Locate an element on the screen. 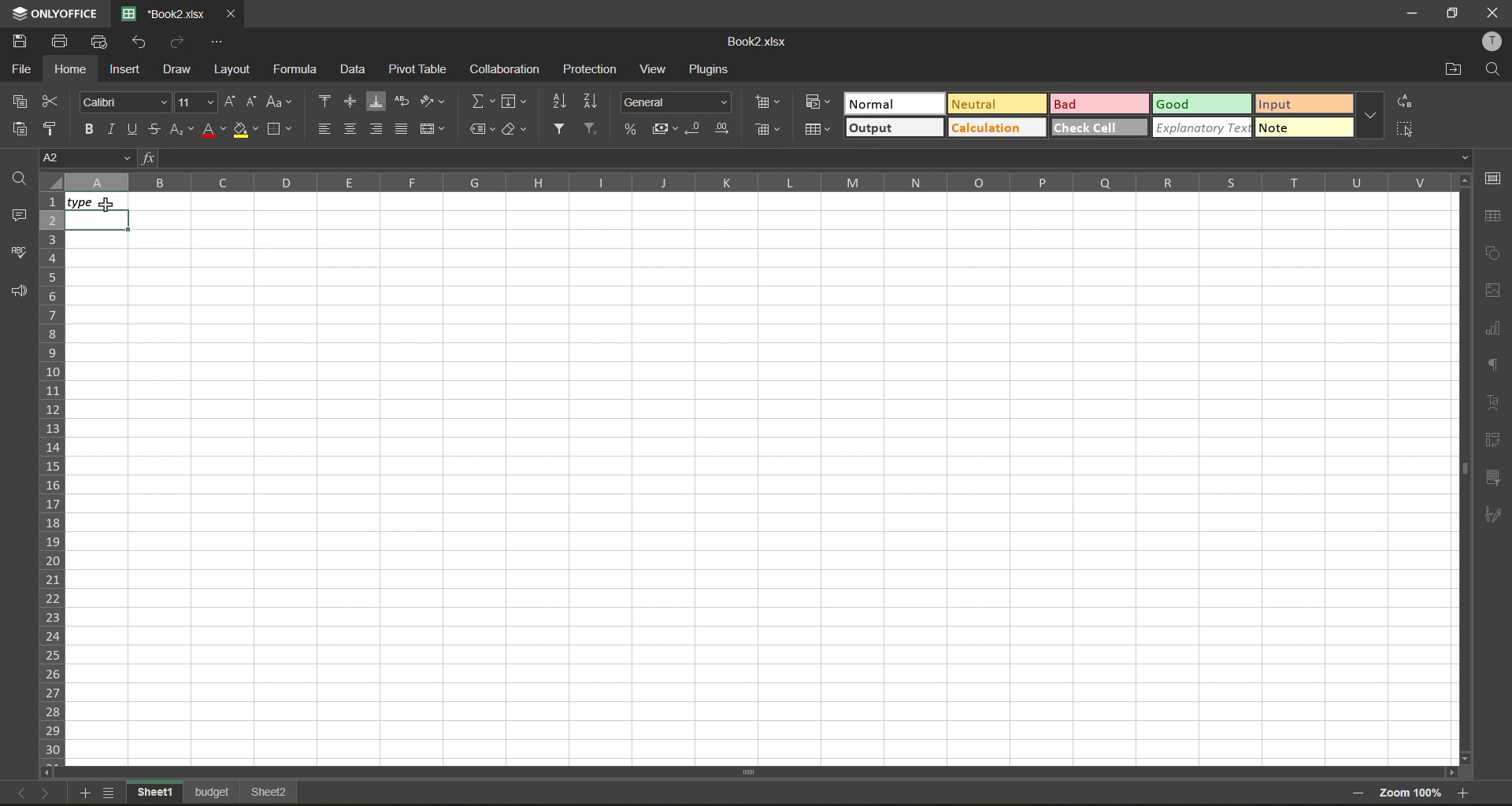 This screenshot has height=806, width=1512. note is located at coordinates (1305, 128).